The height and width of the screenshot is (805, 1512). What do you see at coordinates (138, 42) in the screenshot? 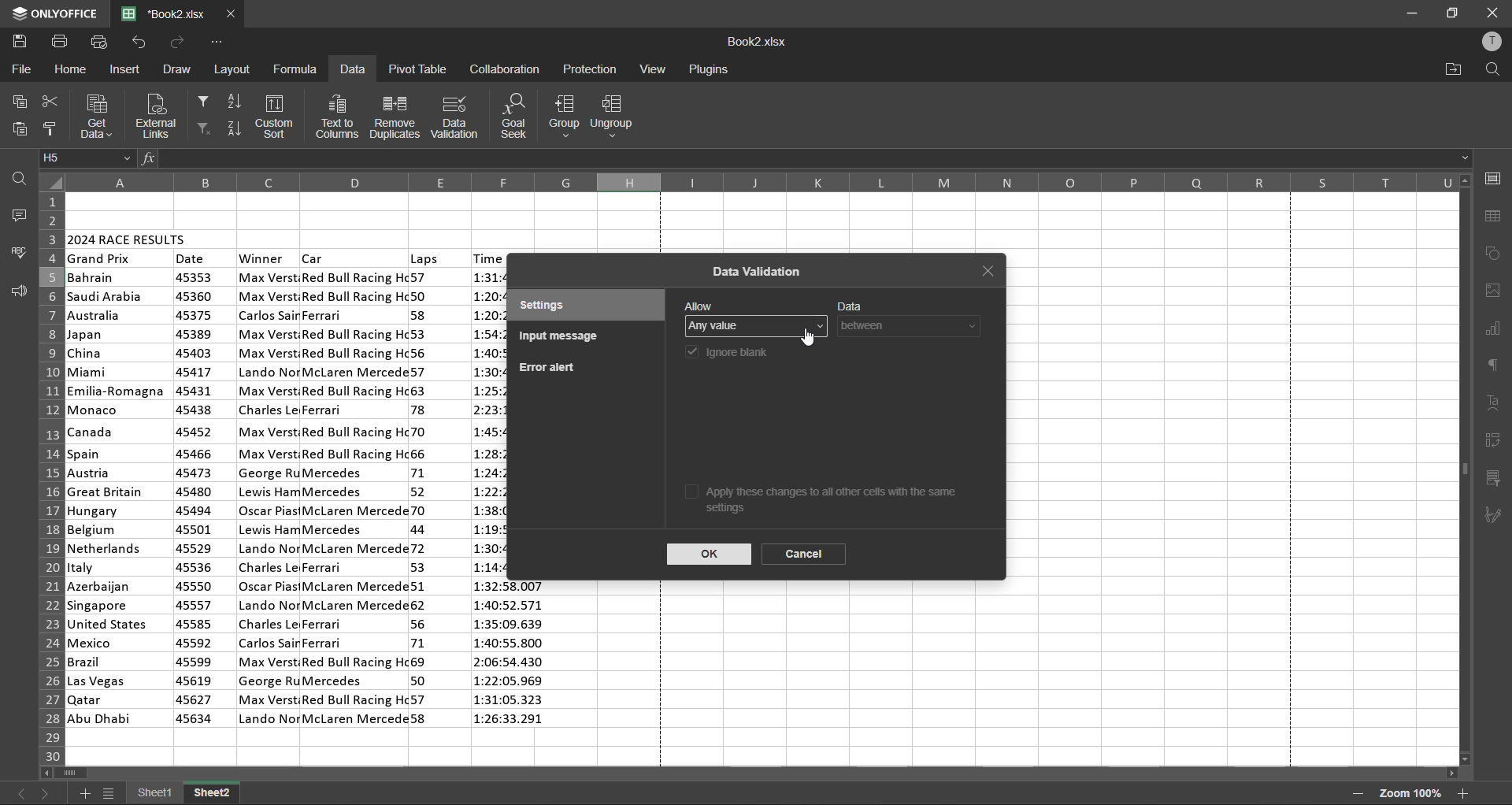
I see `undo` at bounding box center [138, 42].